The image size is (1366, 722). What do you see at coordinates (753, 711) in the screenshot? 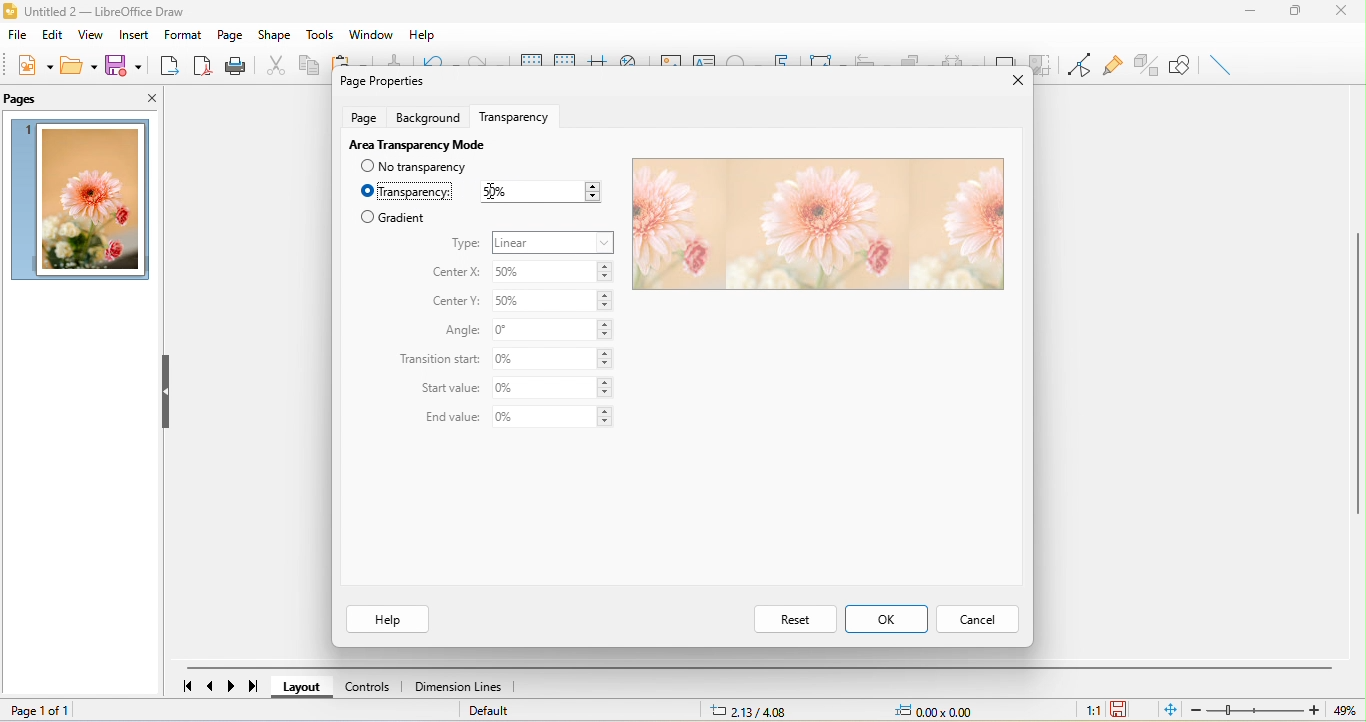
I see `2.13/4.08` at bounding box center [753, 711].